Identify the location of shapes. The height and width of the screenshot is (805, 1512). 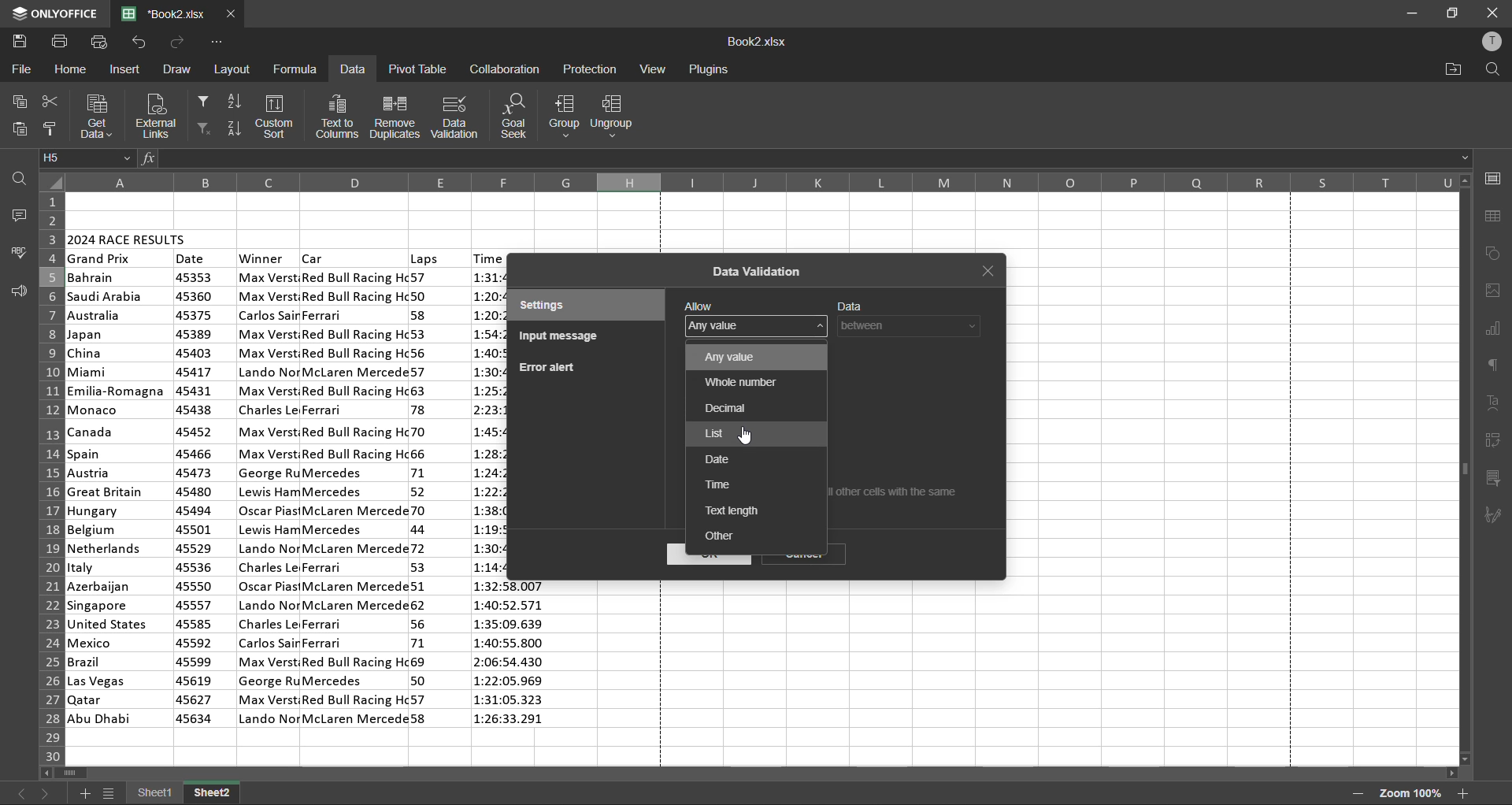
(1494, 254).